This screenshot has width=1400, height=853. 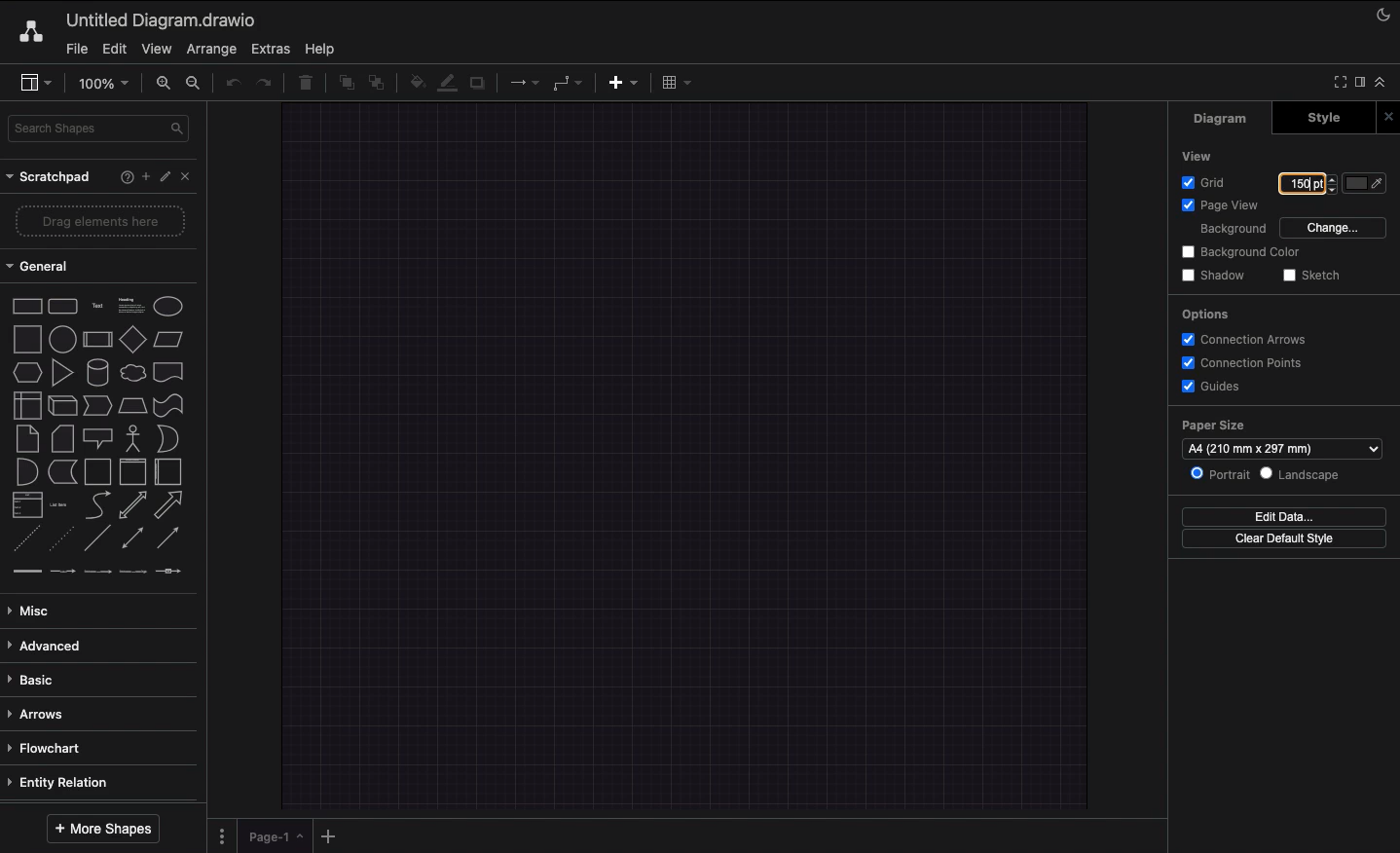 What do you see at coordinates (623, 84) in the screenshot?
I see `Insert` at bounding box center [623, 84].